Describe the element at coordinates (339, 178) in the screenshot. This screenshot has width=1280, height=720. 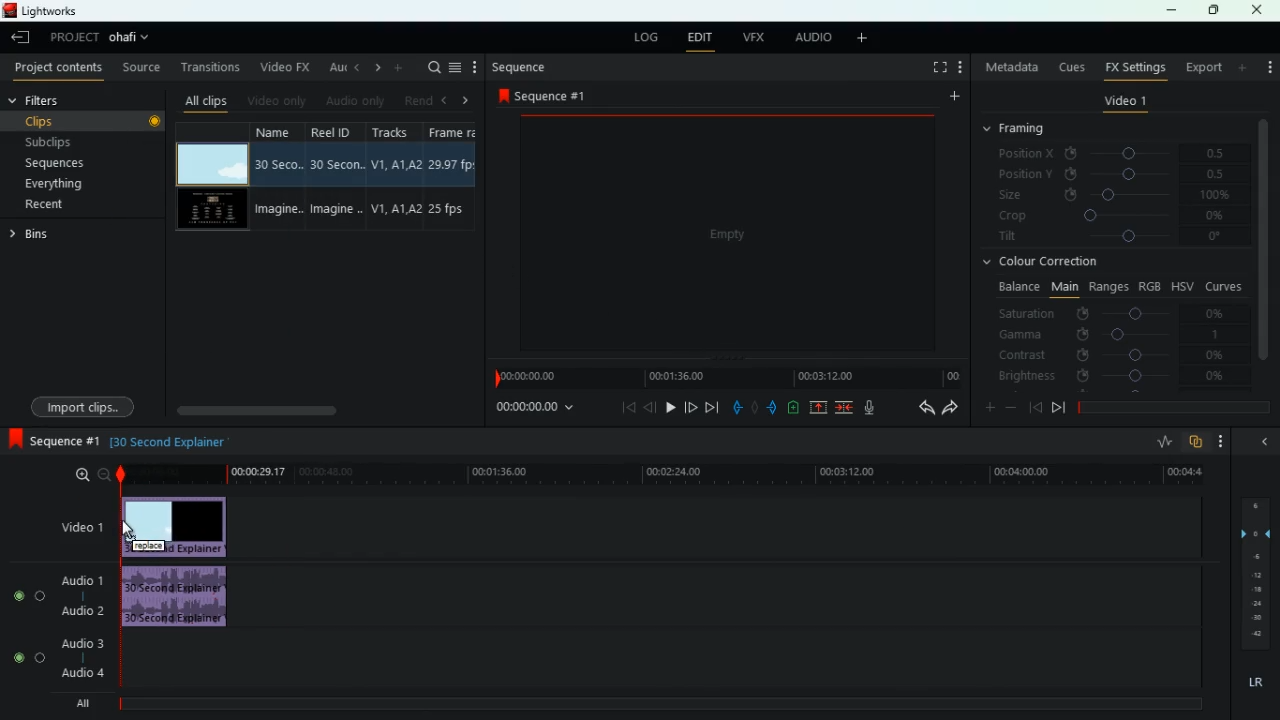
I see `reel id` at that location.